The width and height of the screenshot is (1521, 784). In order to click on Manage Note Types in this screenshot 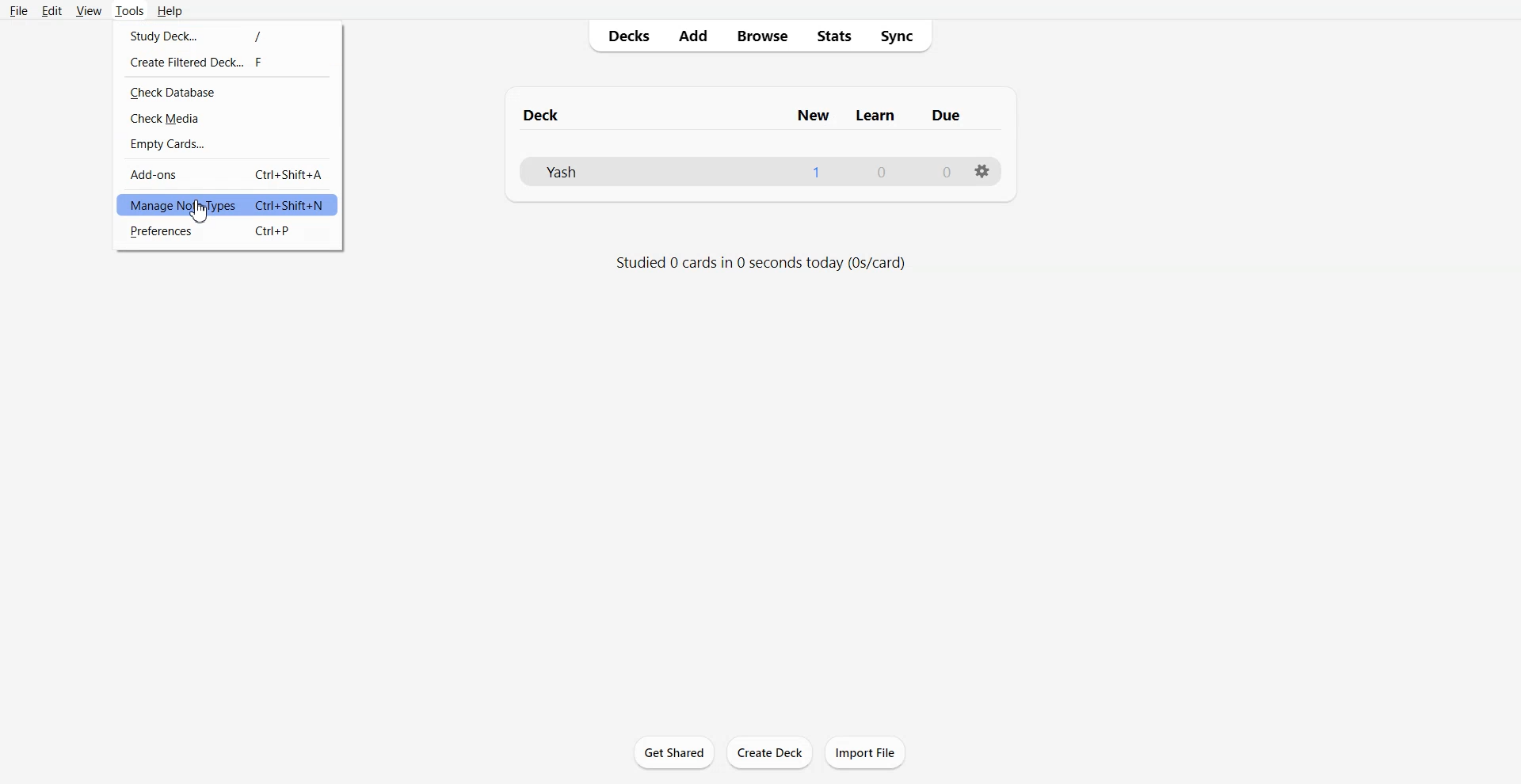, I will do `click(227, 205)`.